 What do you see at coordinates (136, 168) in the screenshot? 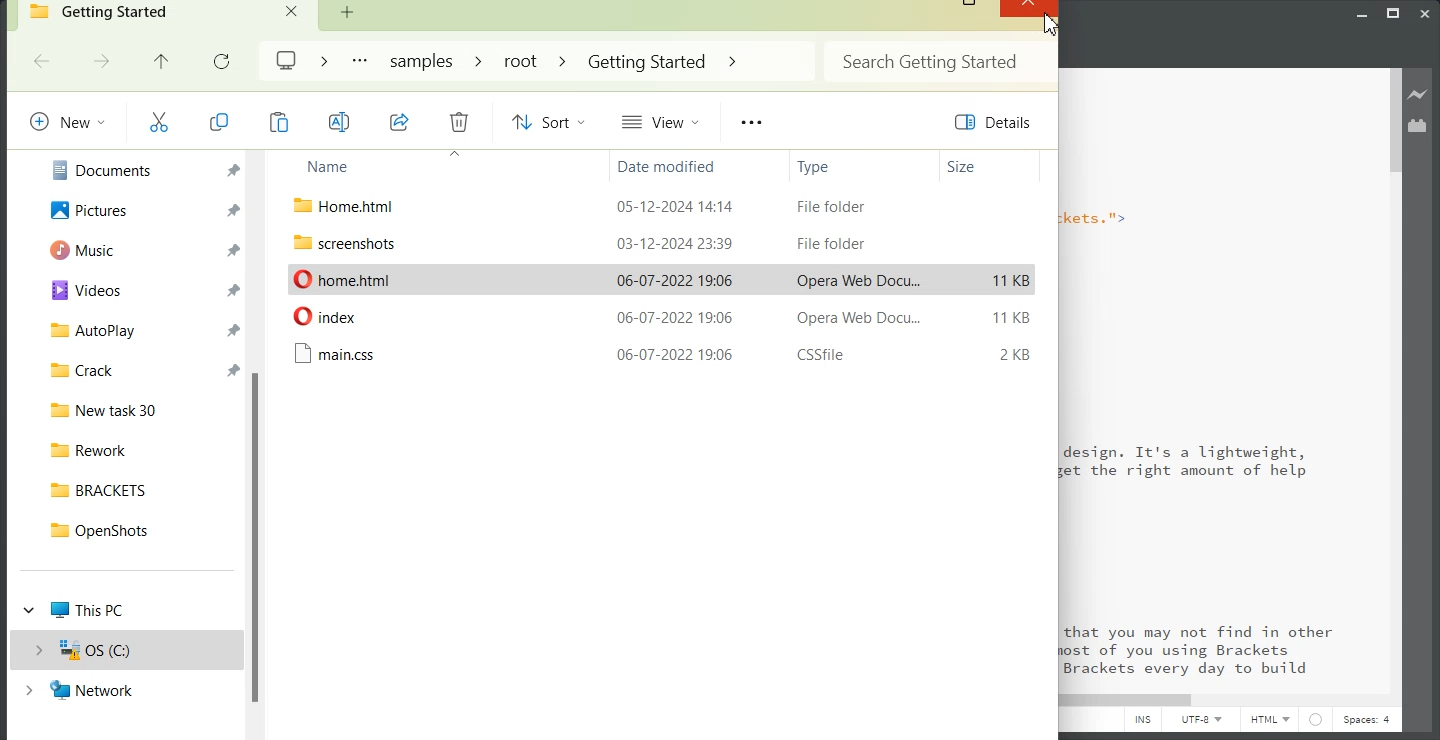
I see `Documents` at bounding box center [136, 168].